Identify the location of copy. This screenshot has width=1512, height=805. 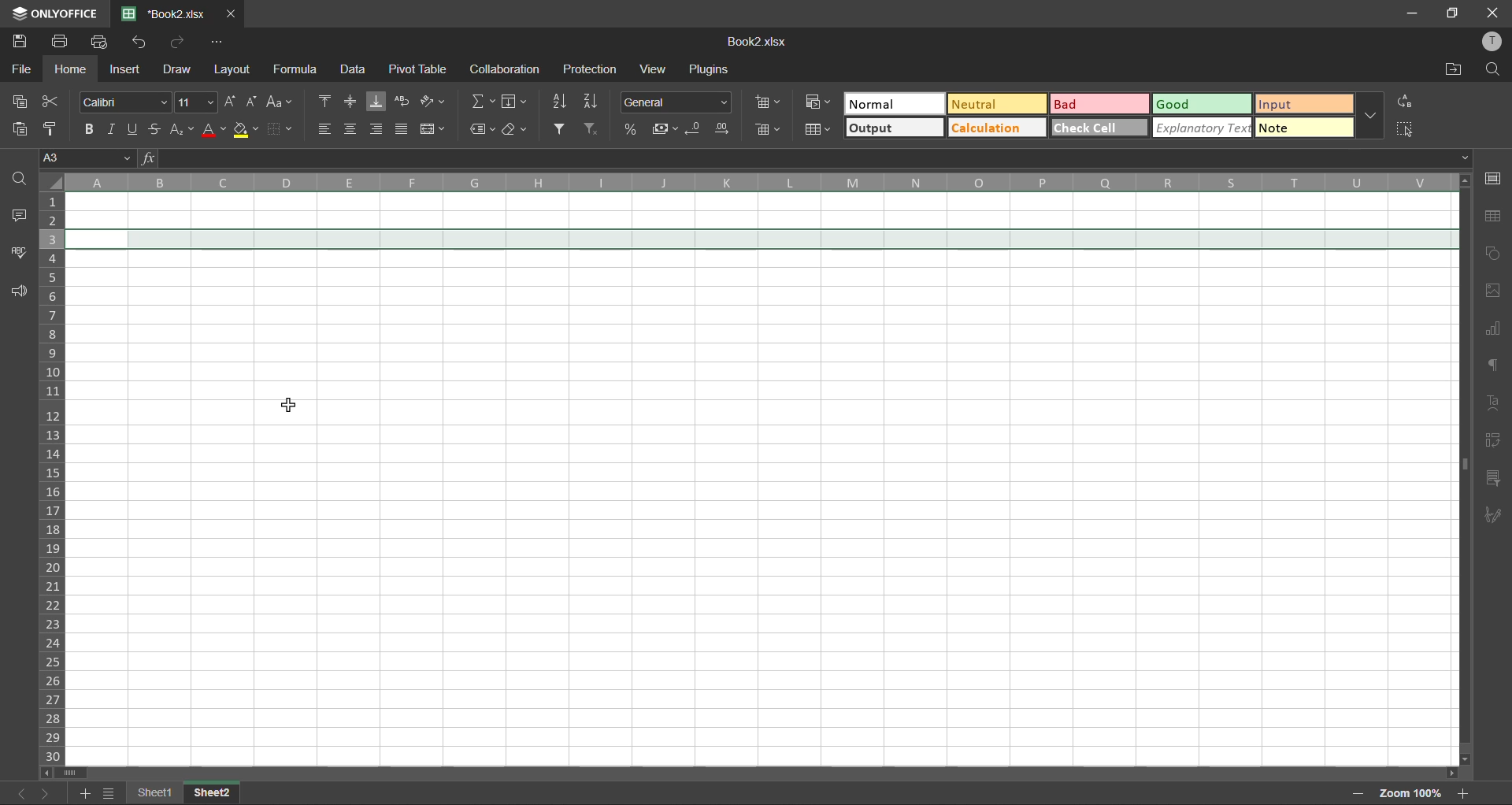
(17, 101).